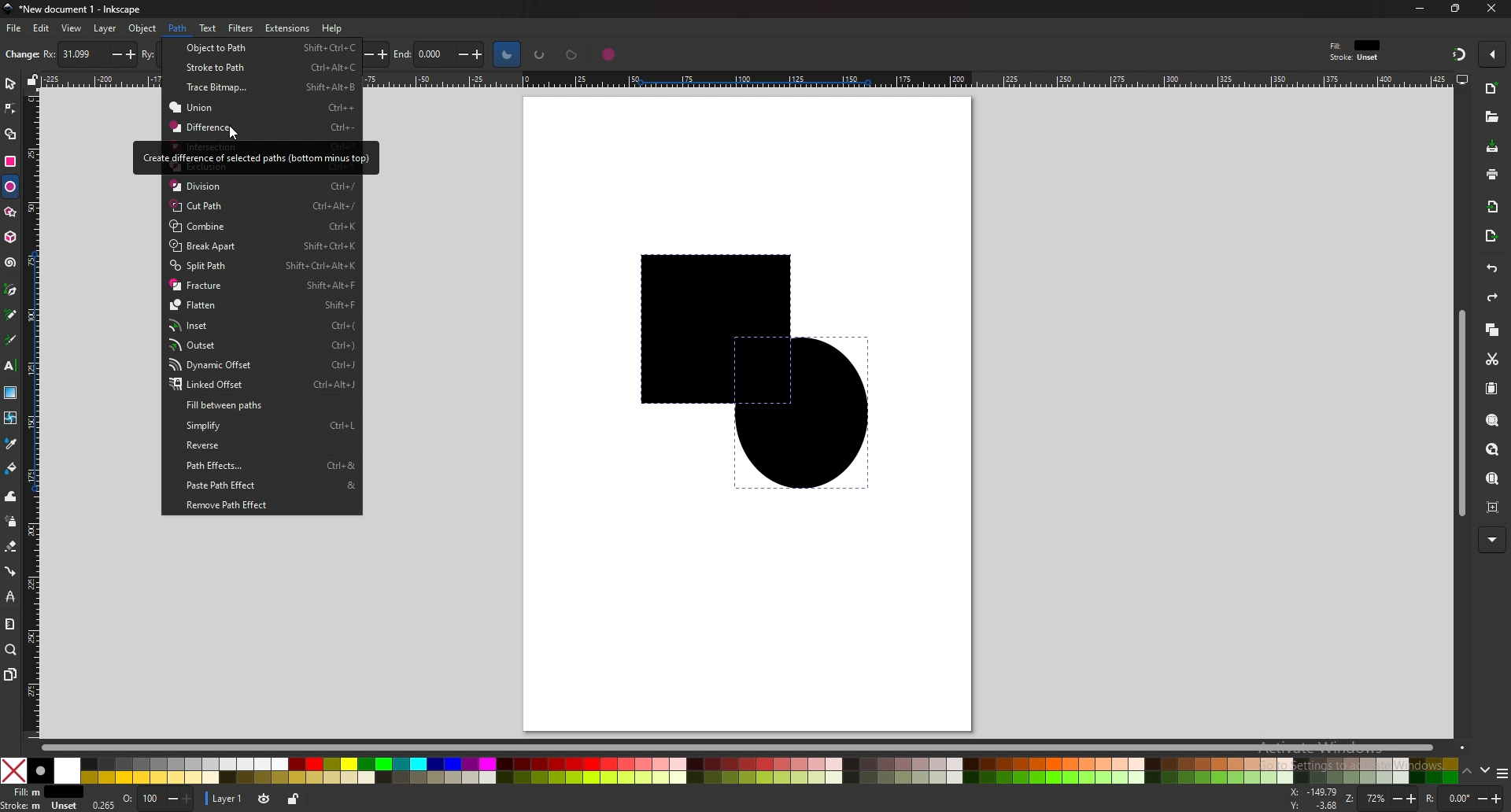 This screenshot has height=812, width=1511. What do you see at coordinates (1492, 541) in the screenshot?
I see `more` at bounding box center [1492, 541].